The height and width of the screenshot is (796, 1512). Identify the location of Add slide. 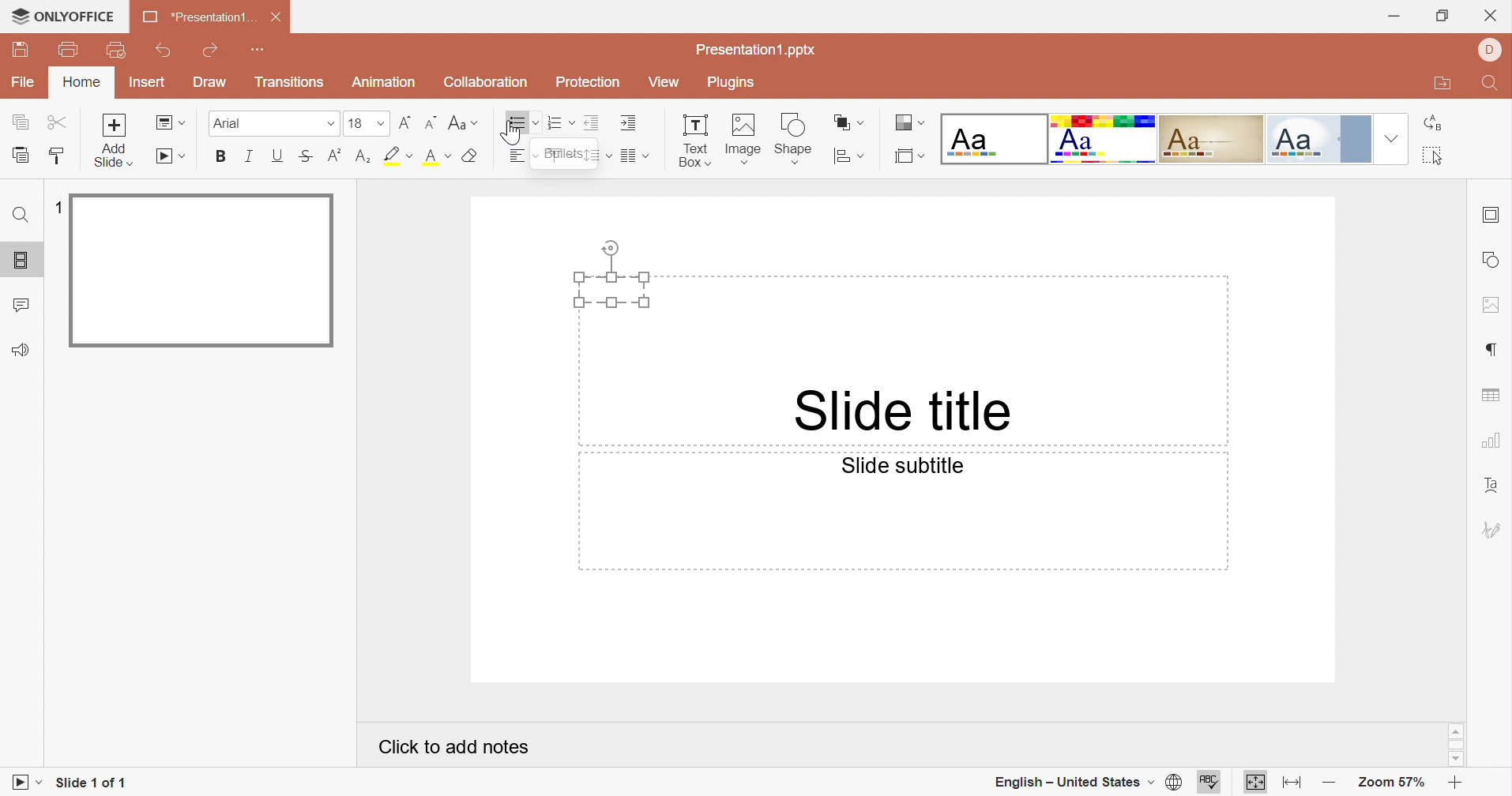
(115, 140).